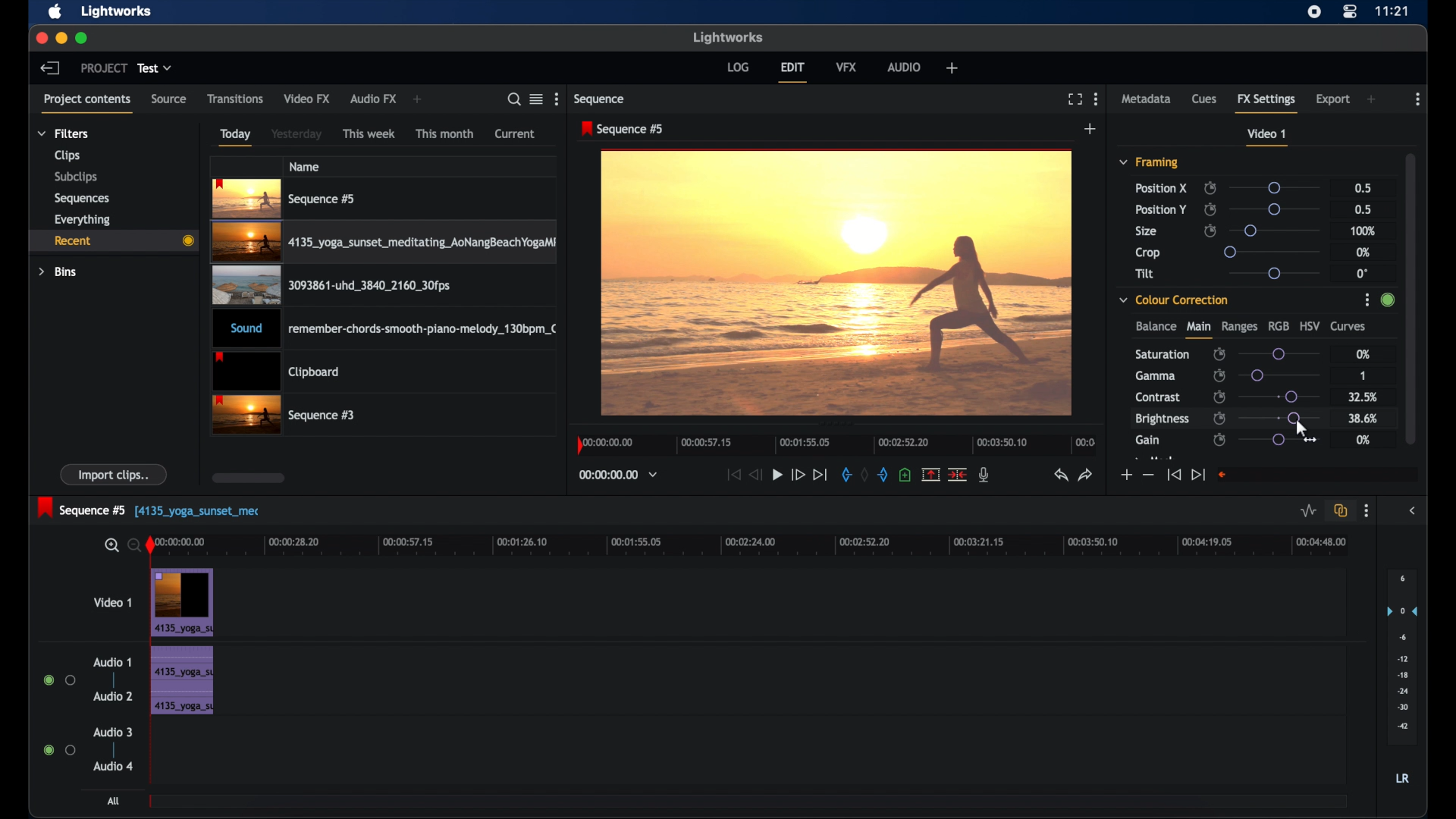  What do you see at coordinates (249, 478) in the screenshot?
I see `scroll box` at bounding box center [249, 478].